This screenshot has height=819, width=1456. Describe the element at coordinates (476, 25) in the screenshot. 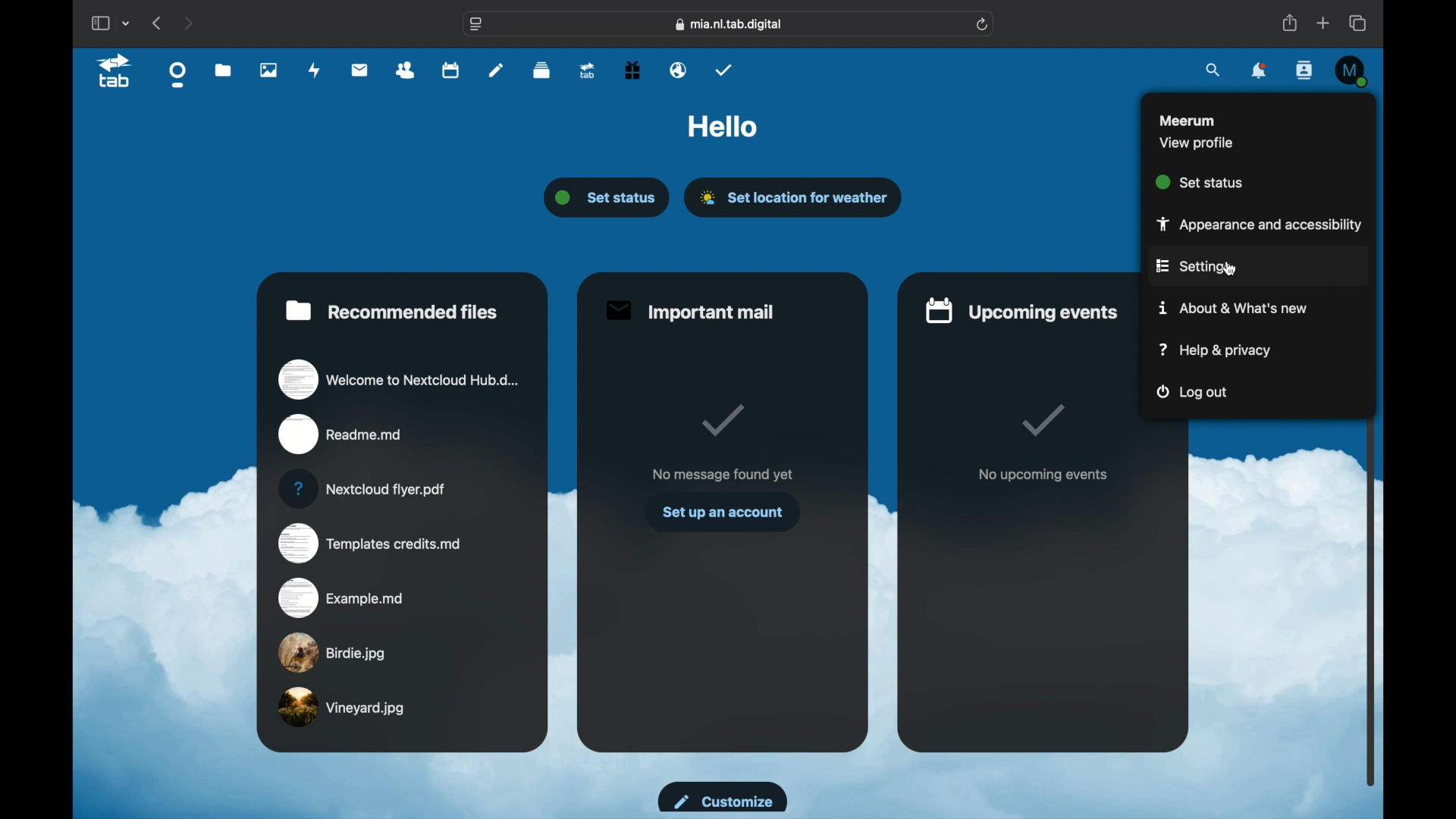

I see `website settings` at that location.